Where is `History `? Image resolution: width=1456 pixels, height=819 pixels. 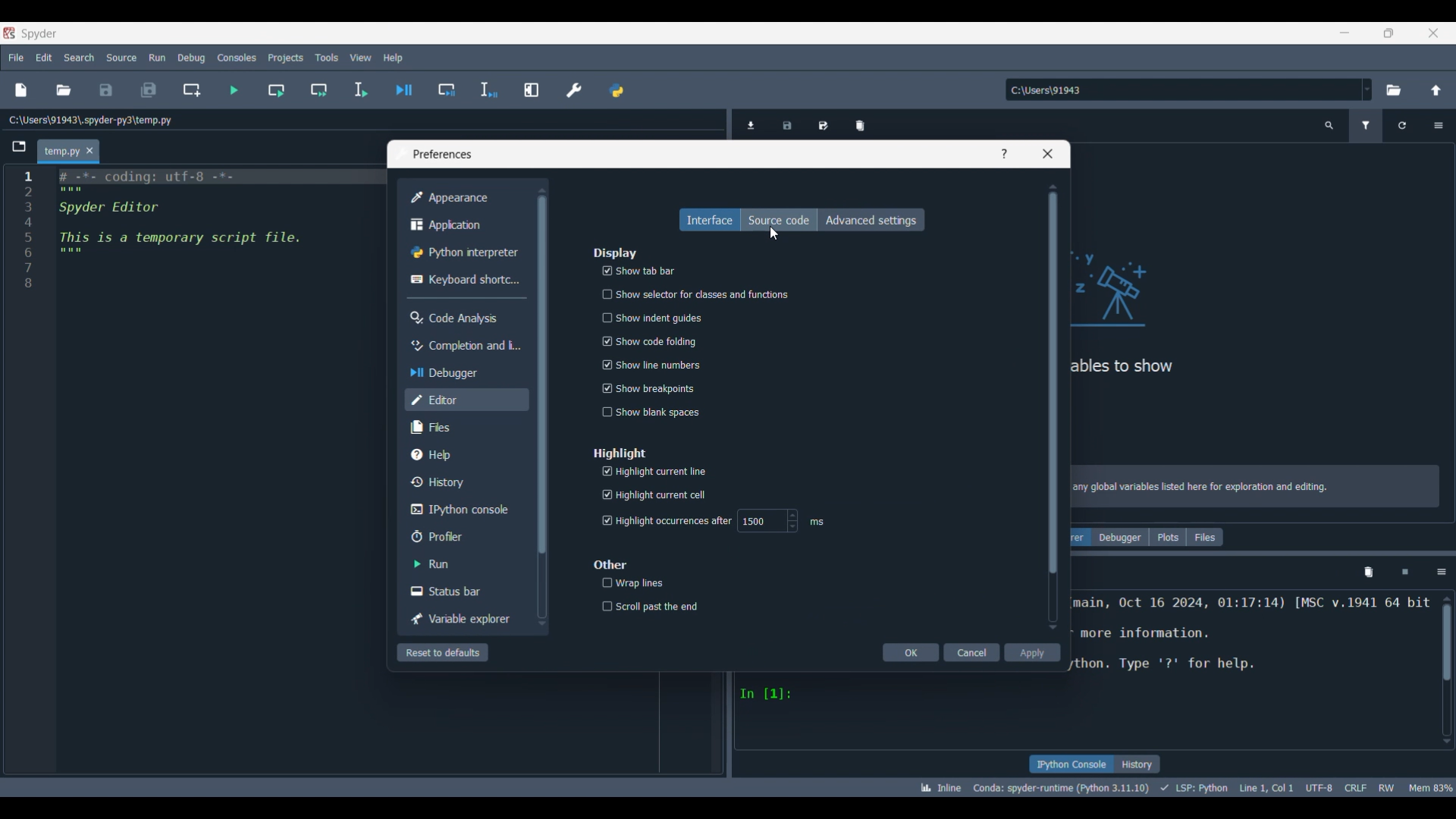 History  is located at coordinates (1138, 764).